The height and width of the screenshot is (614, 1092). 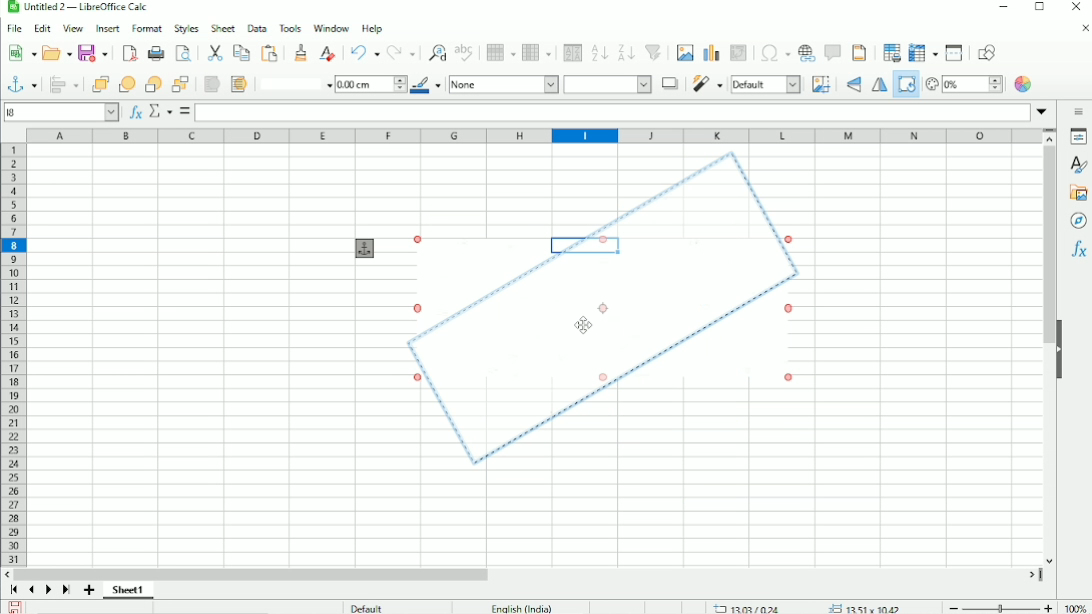 I want to click on Insert comment, so click(x=832, y=53).